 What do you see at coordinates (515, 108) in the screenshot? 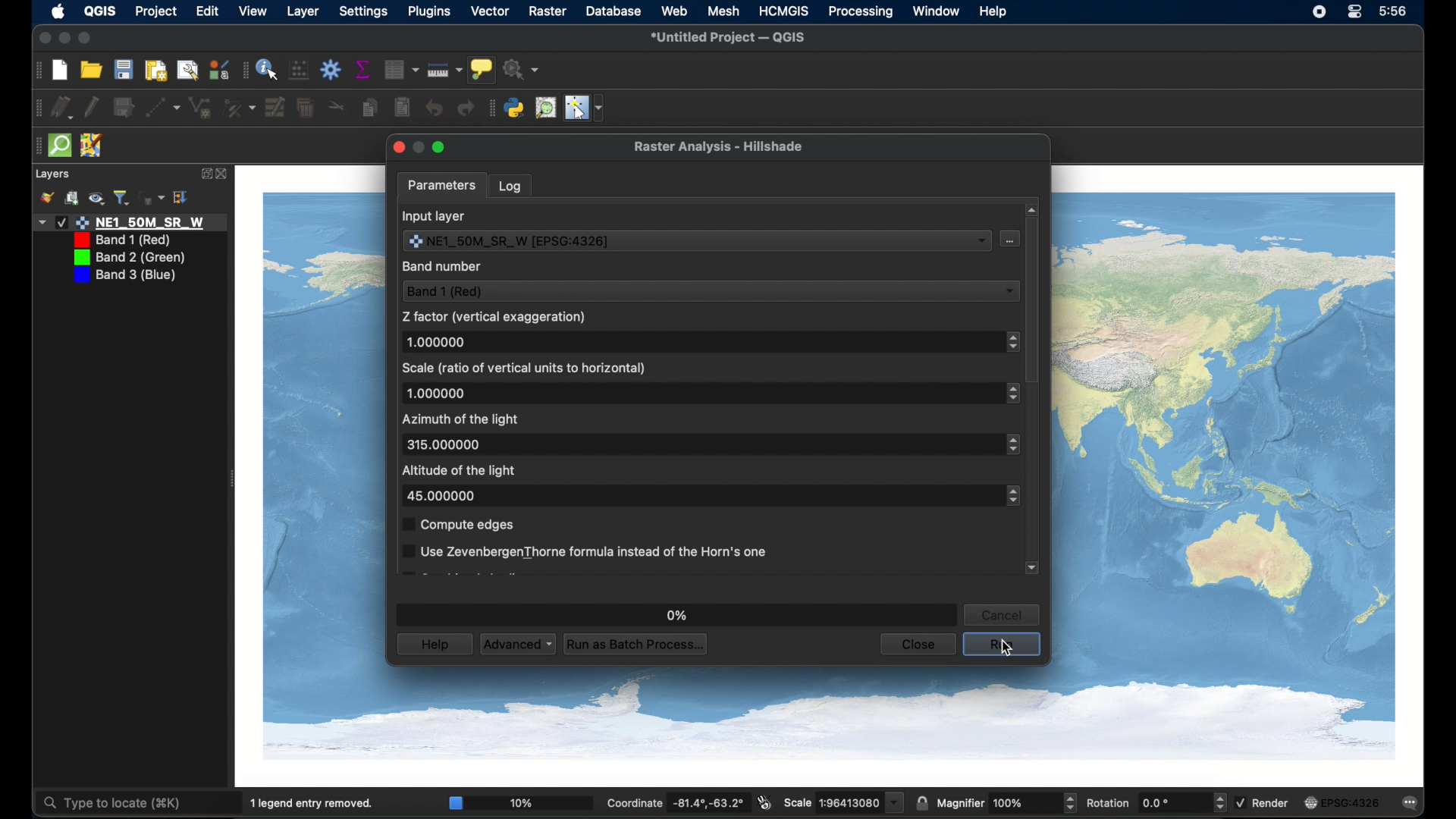
I see `python console` at bounding box center [515, 108].